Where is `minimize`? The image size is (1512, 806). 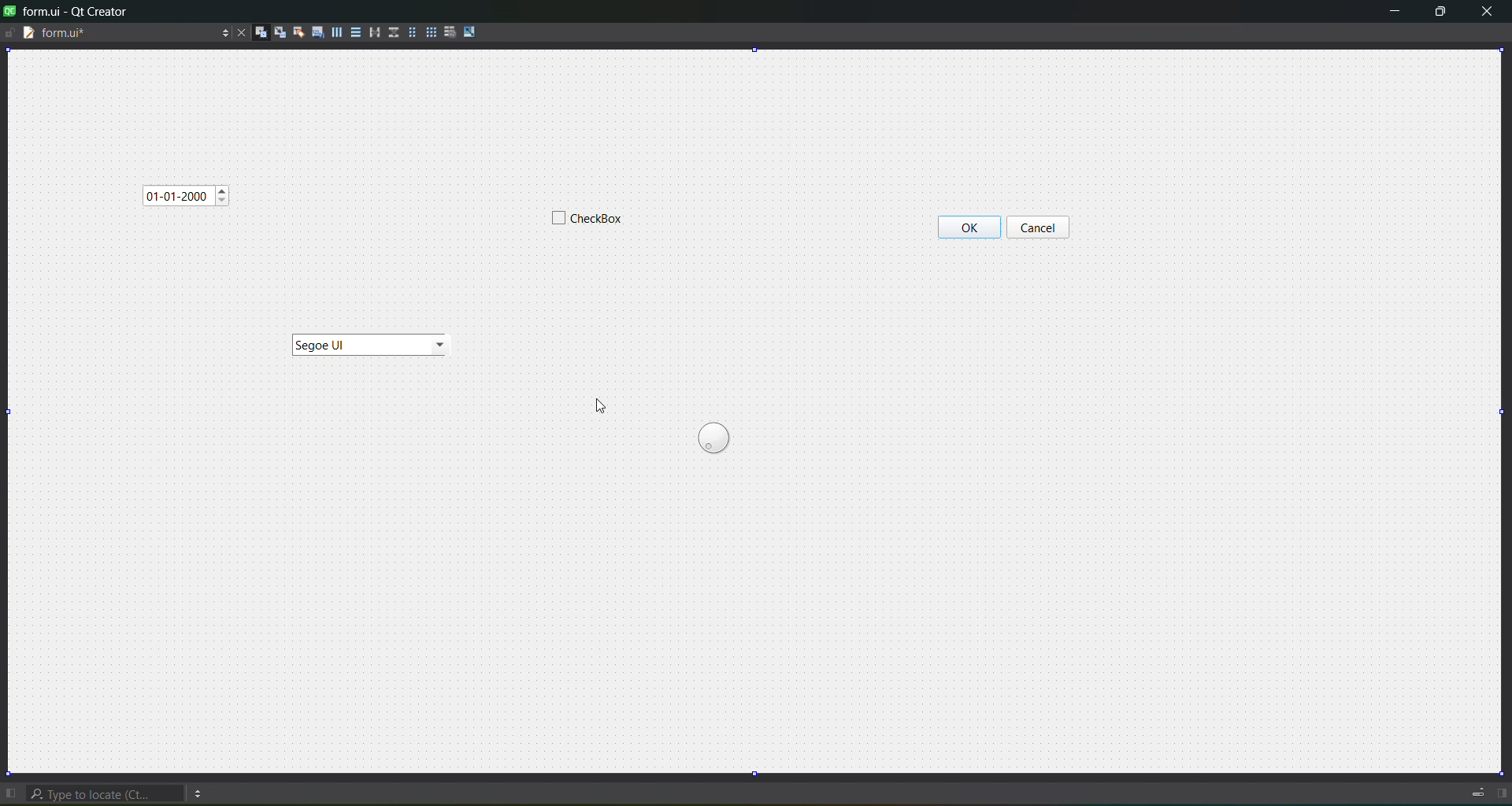 minimize is located at coordinates (1395, 13).